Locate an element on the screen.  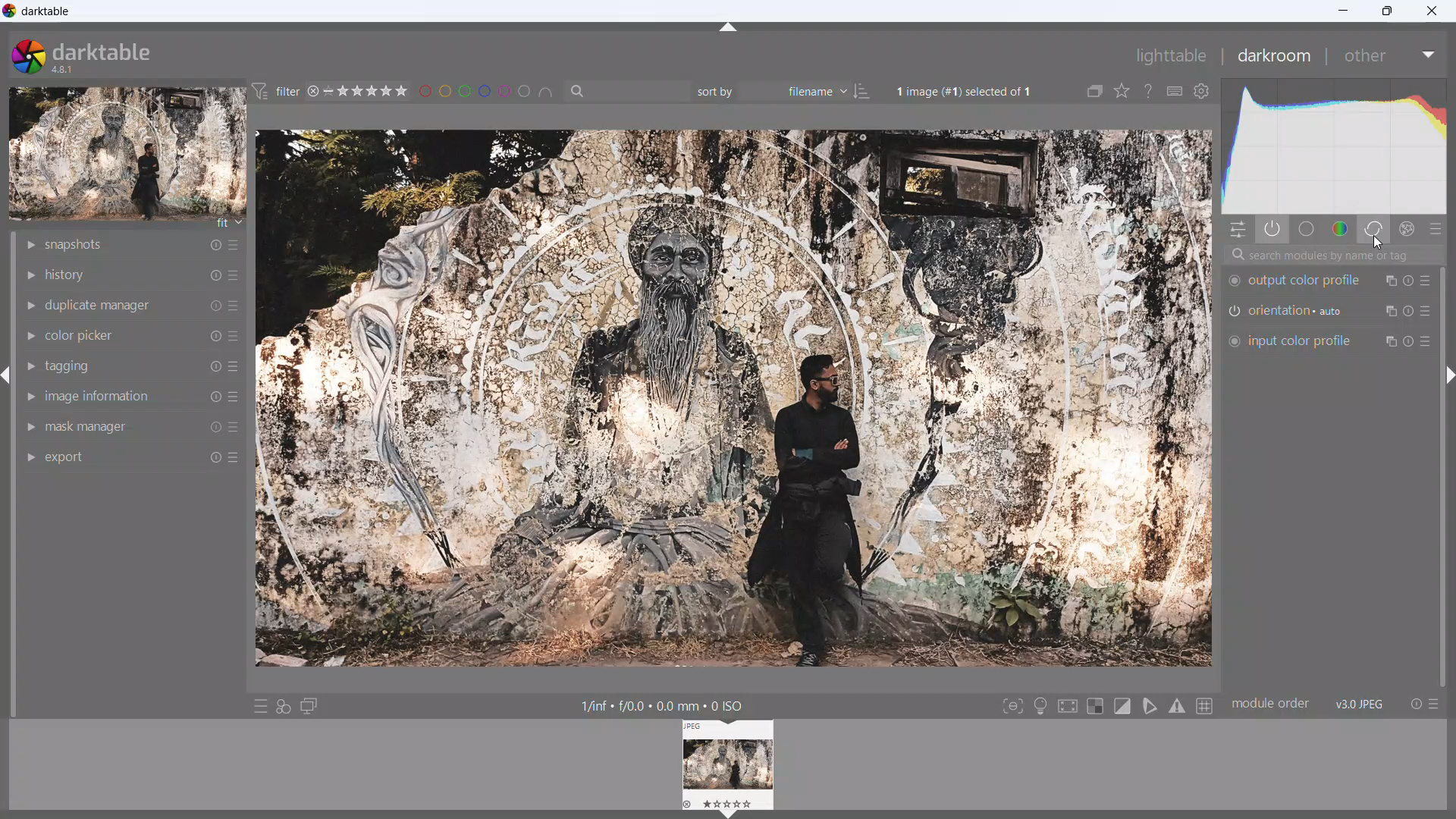
toggle ISO 12646 color assessment conditions is located at coordinates (1040, 705).